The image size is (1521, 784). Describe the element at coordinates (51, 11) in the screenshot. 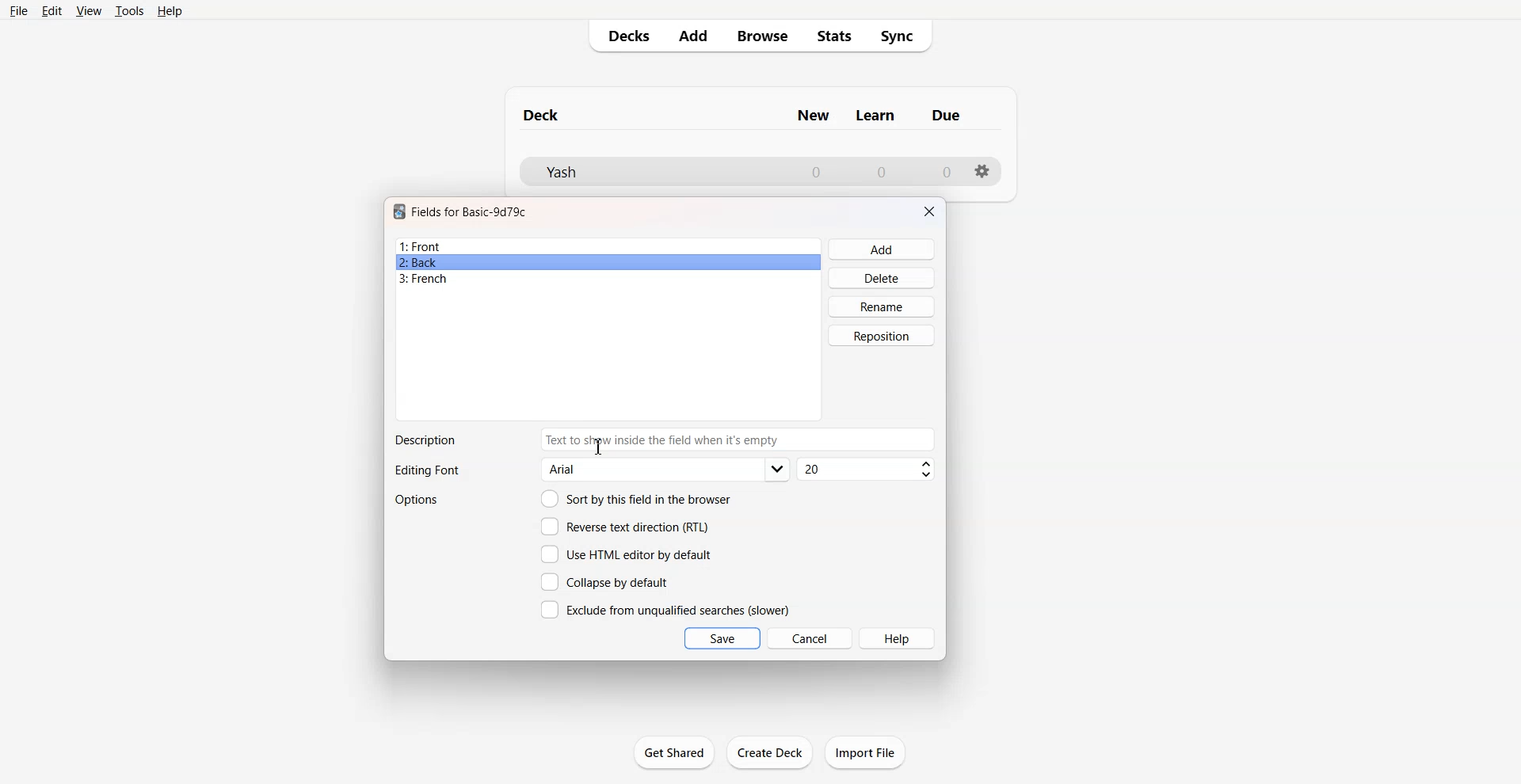

I see `Edit` at that location.